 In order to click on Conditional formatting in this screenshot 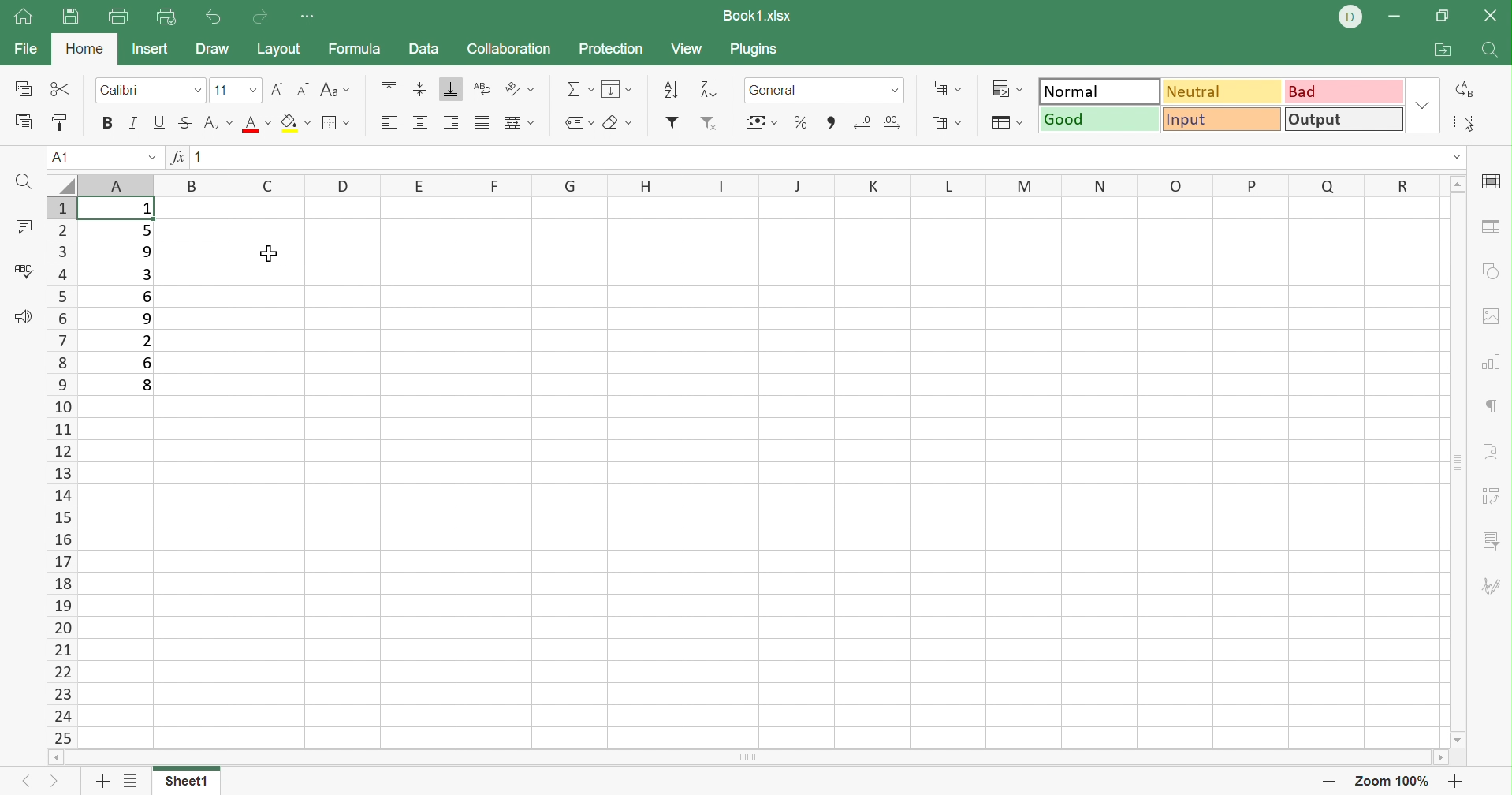, I will do `click(1004, 89)`.